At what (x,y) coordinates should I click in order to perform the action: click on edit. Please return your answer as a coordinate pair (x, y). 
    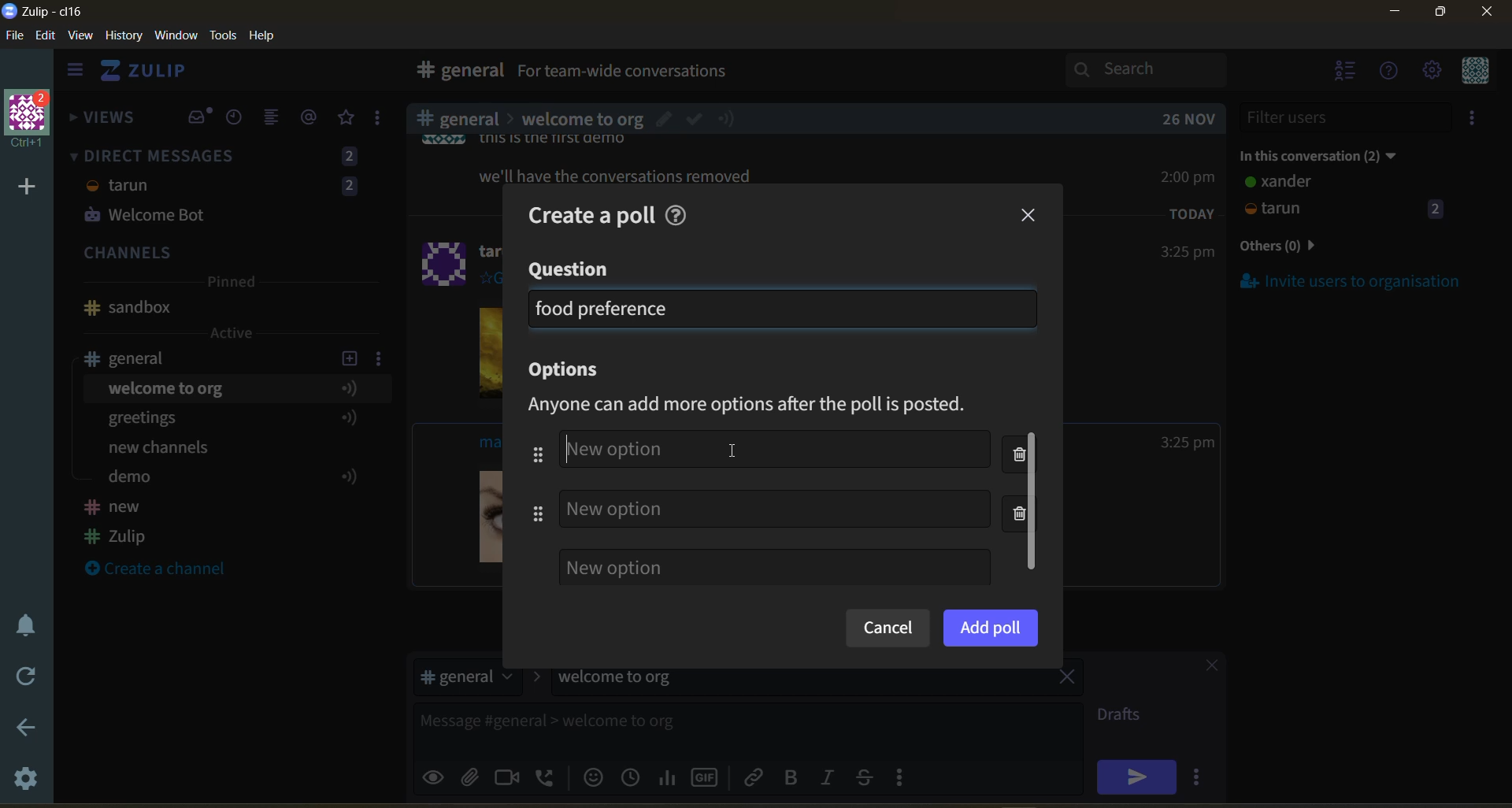
    Looking at the image, I should click on (46, 37).